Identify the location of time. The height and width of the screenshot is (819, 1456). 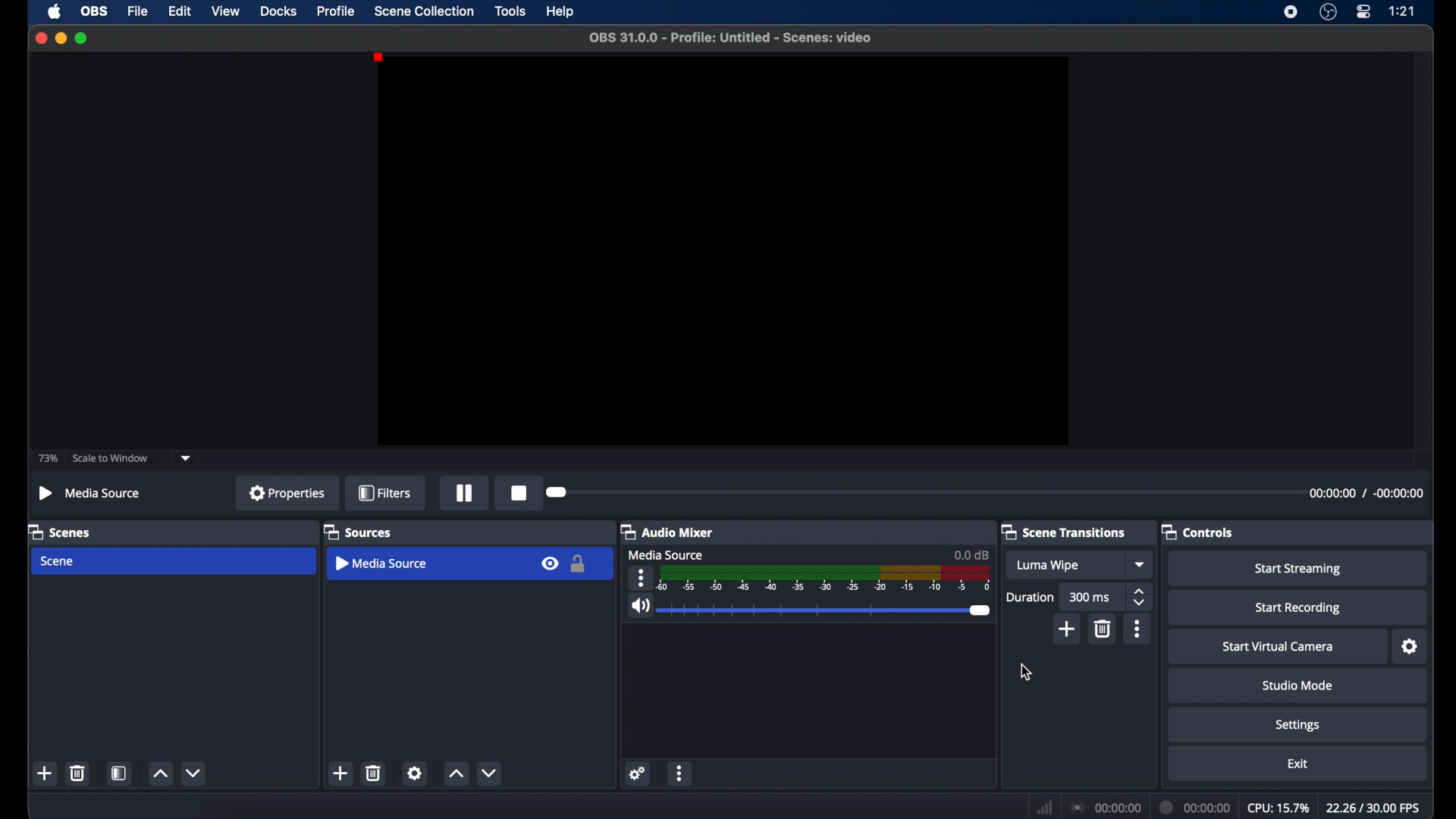
(1401, 11).